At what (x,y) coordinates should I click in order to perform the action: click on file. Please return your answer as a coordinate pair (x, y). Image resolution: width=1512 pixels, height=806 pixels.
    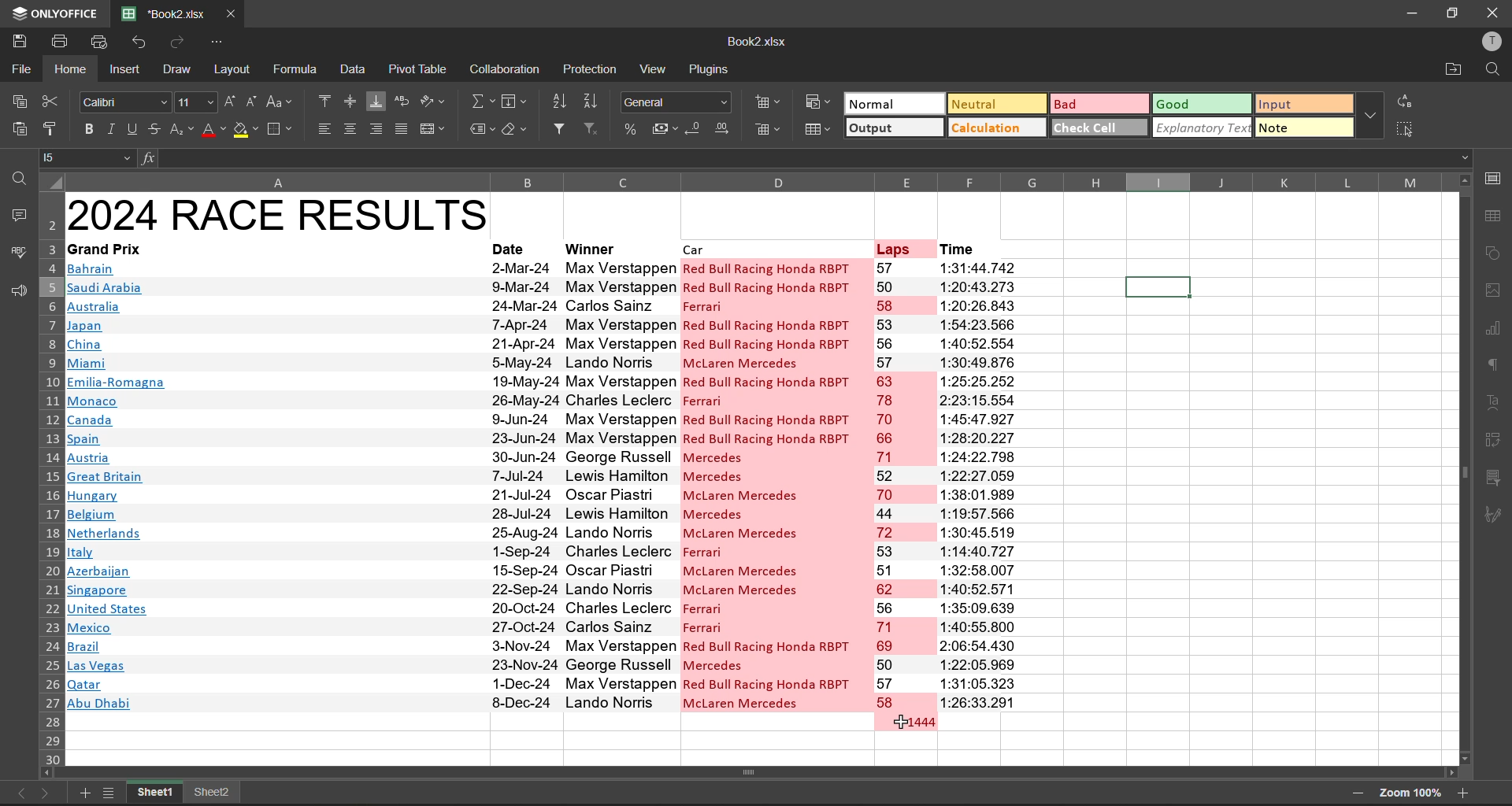
    Looking at the image, I should click on (19, 68).